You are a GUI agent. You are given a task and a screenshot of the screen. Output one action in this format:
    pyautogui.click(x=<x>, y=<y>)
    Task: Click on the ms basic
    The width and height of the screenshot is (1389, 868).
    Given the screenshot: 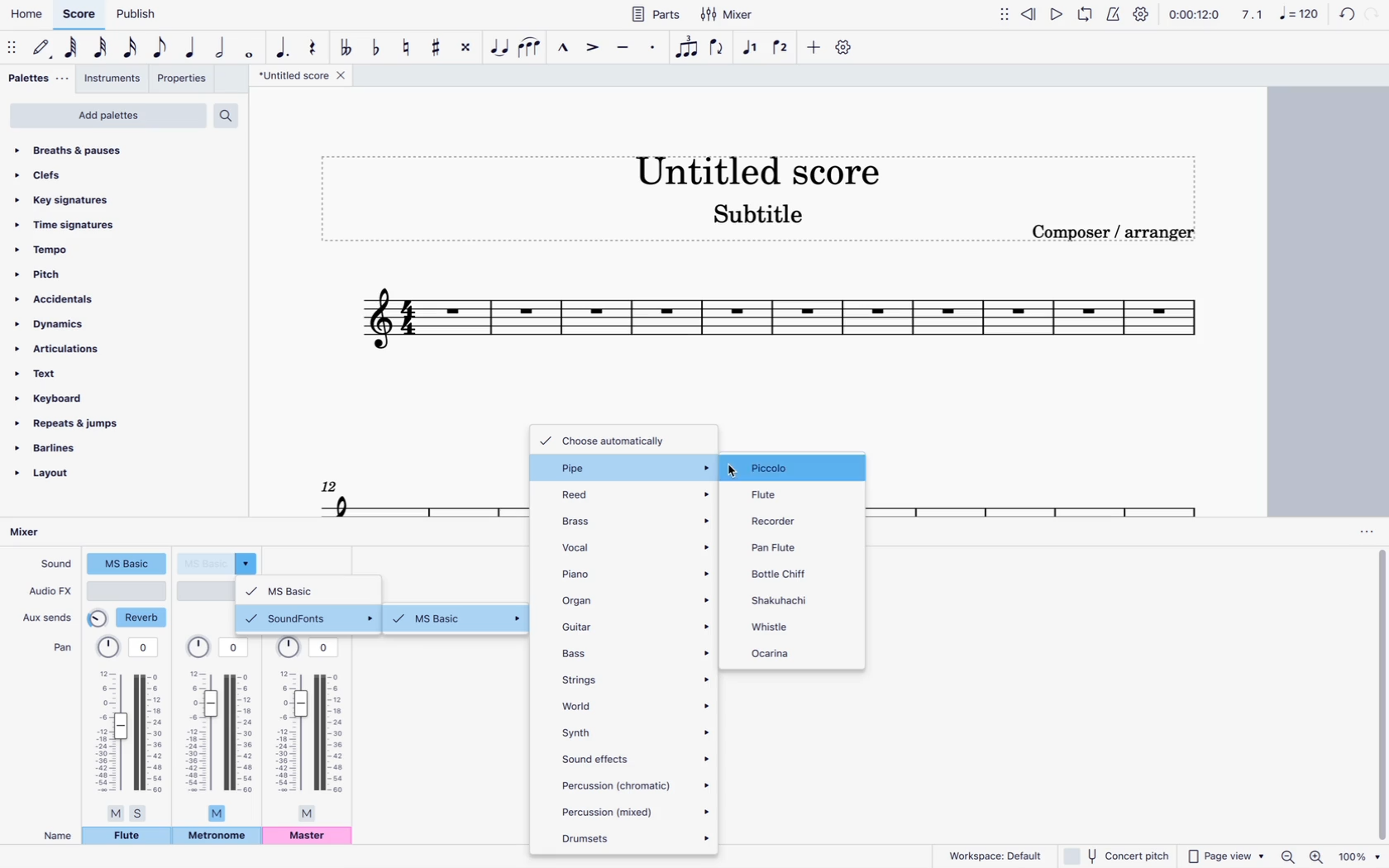 What is the action you would take?
    pyautogui.click(x=313, y=589)
    